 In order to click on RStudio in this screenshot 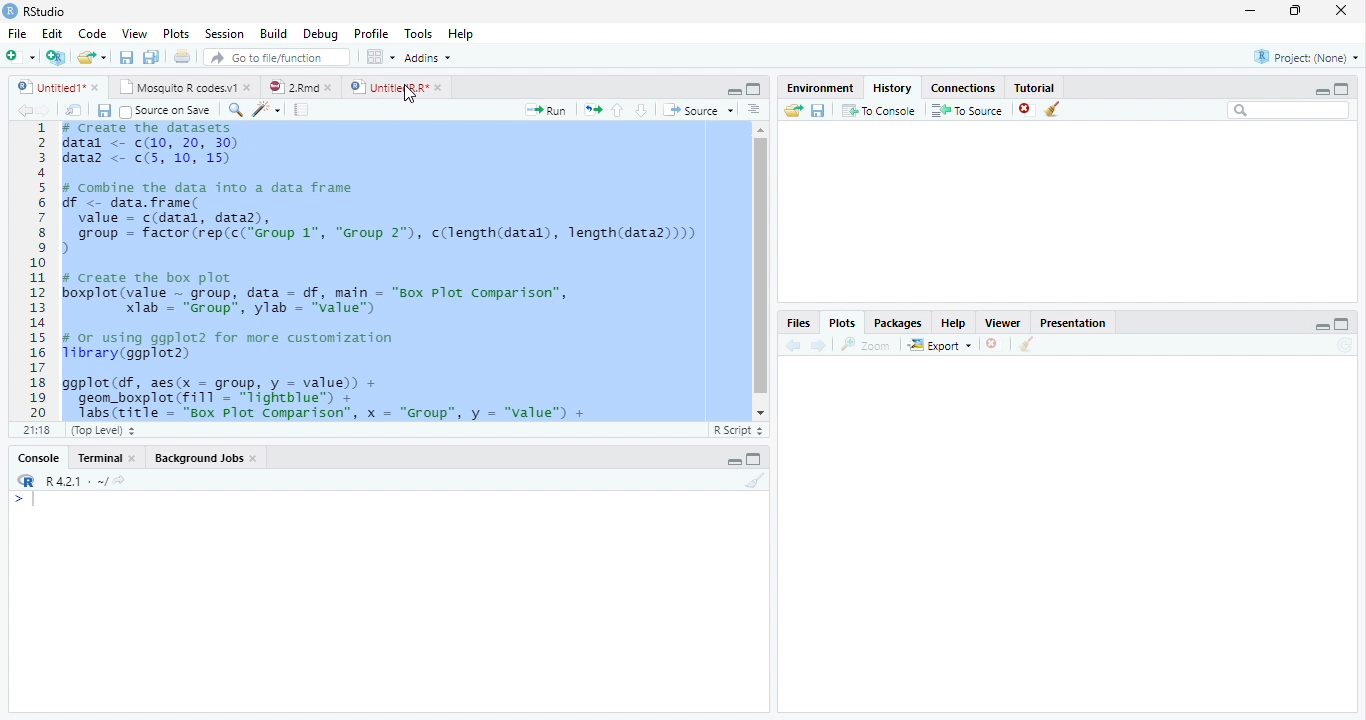, I will do `click(35, 12)`.